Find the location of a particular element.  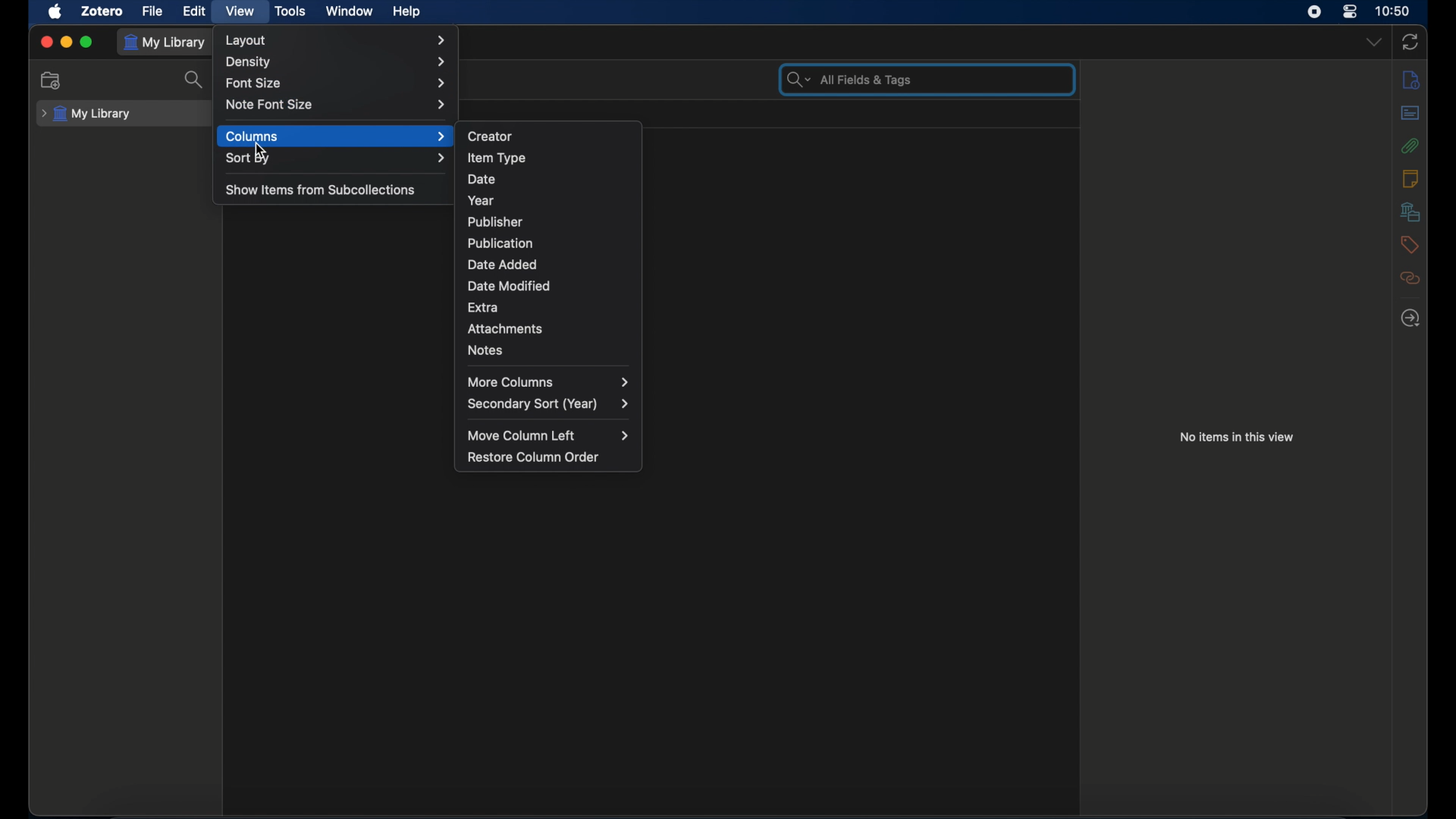

show items from subcollections is located at coordinates (322, 189).